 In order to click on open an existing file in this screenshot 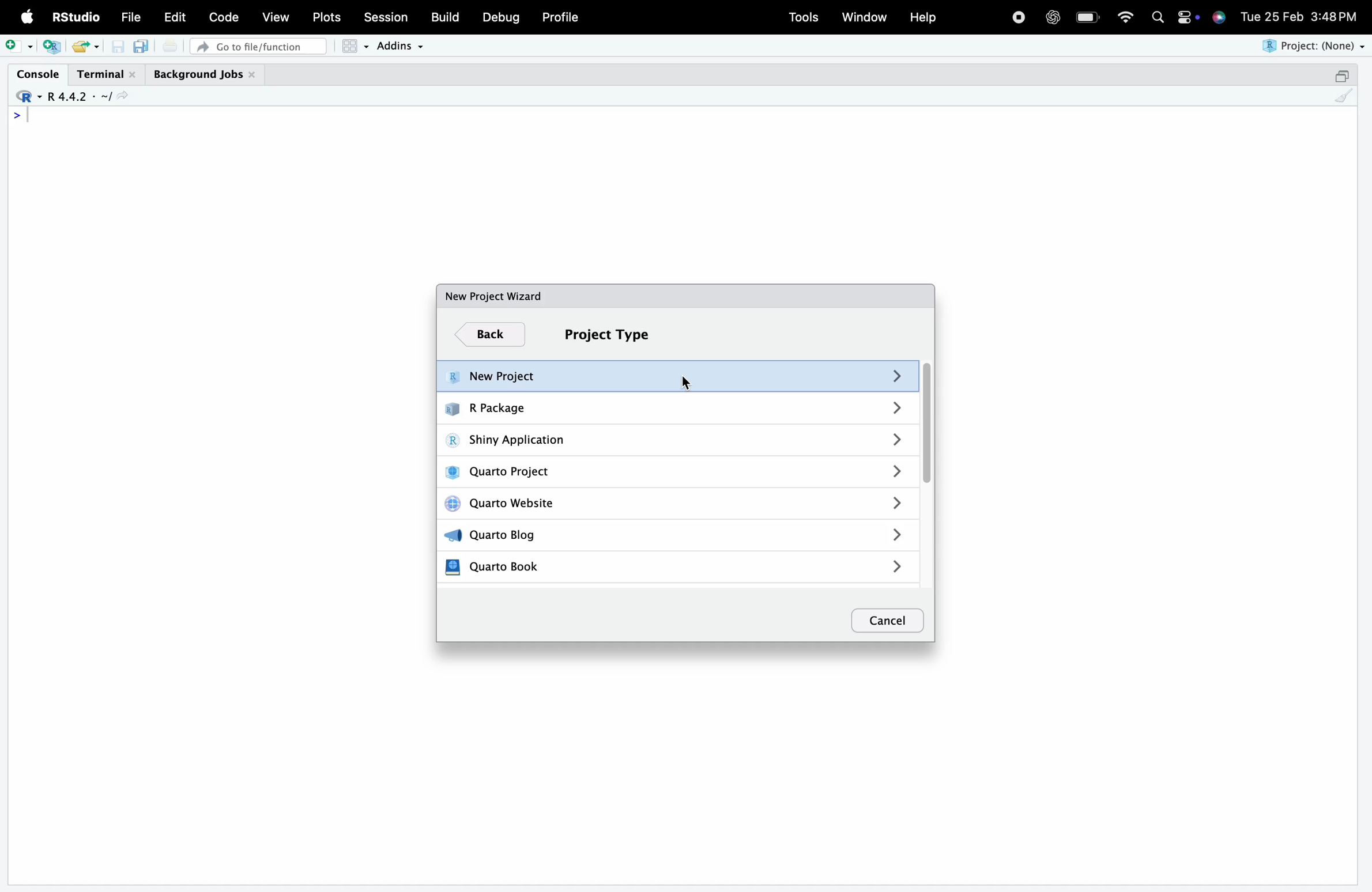, I will do `click(79, 47)`.